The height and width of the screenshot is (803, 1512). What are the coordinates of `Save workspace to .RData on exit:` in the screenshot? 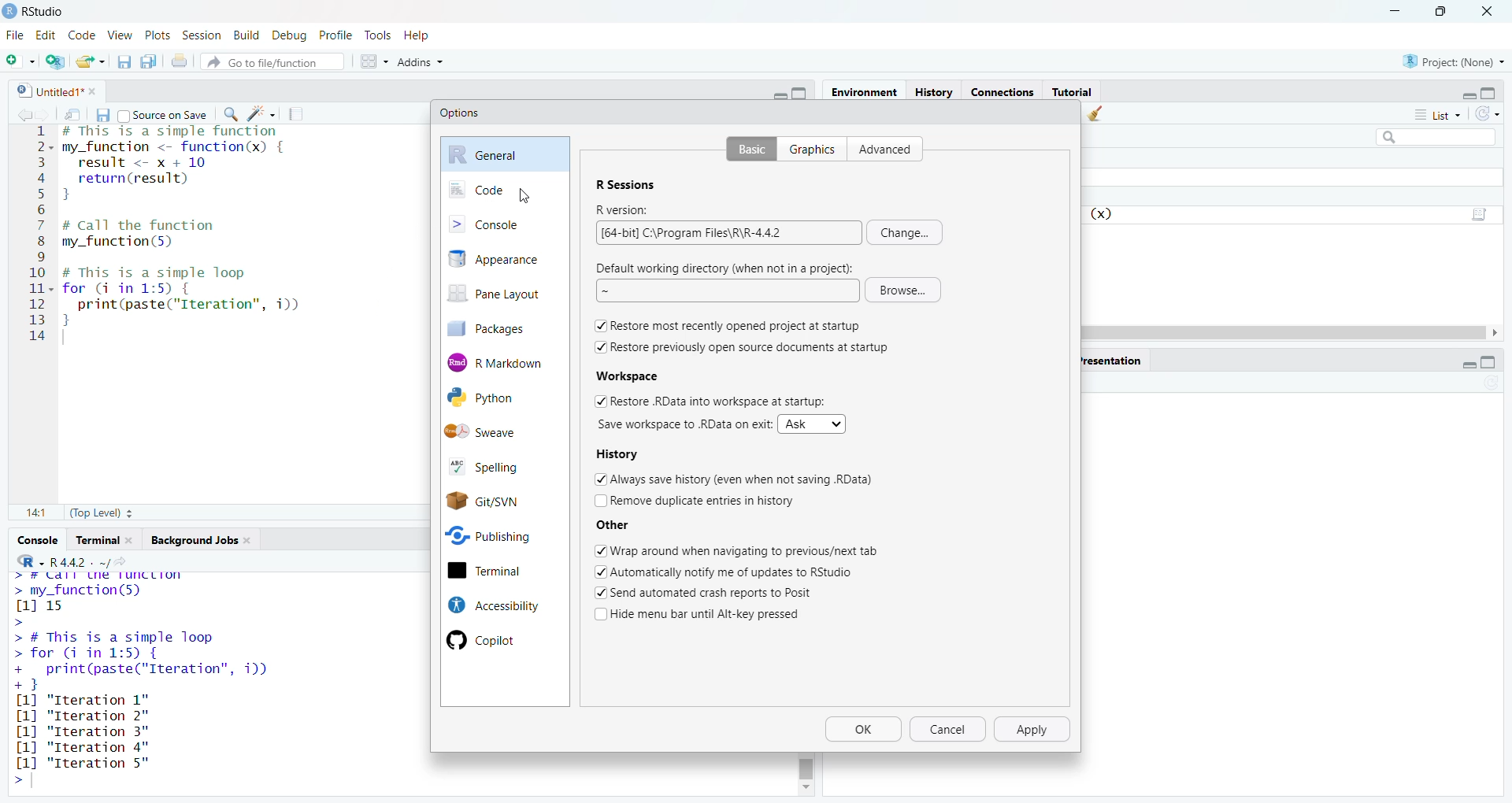 It's located at (682, 425).